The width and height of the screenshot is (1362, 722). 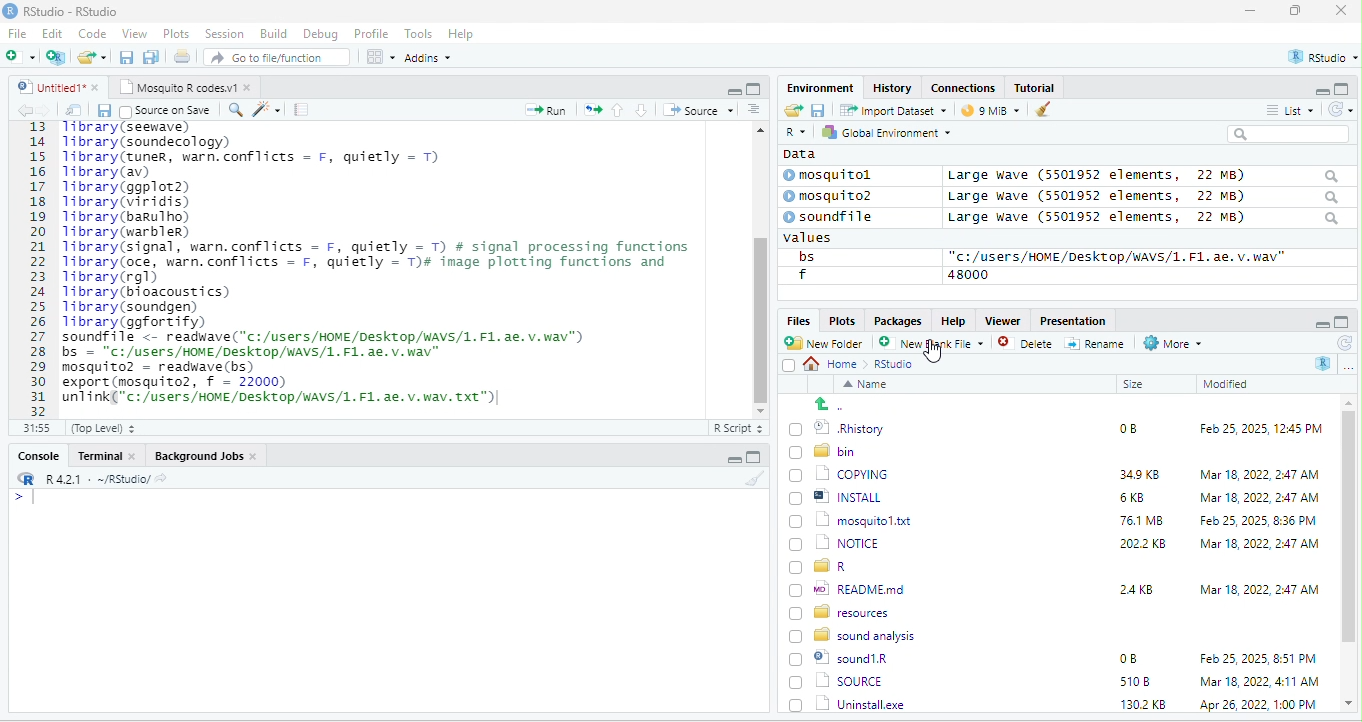 What do you see at coordinates (791, 369) in the screenshot?
I see `select` at bounding box center [791, 369].